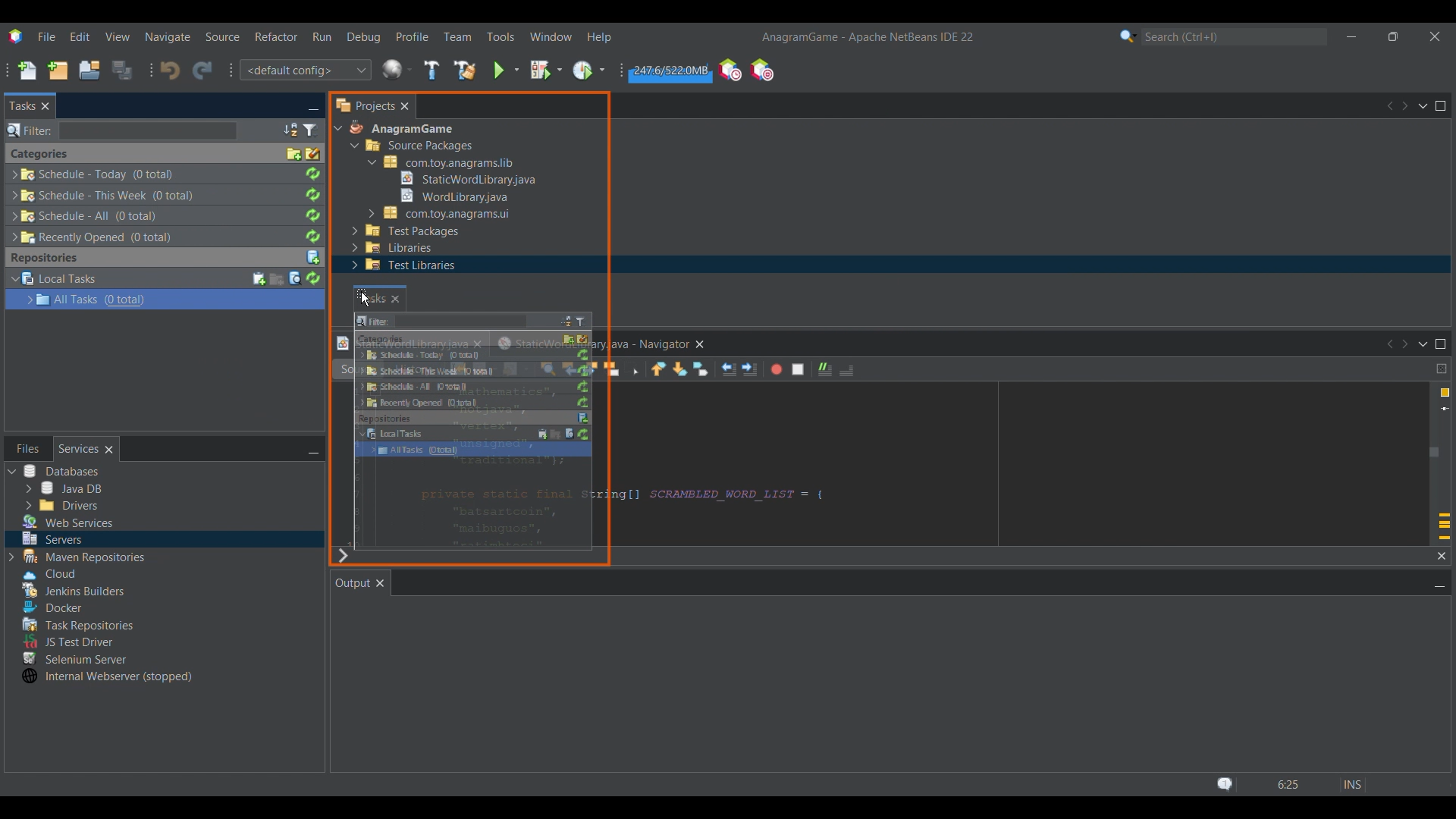  What do you see at coordinates (1128, 36) in the screenshot?
I see `Search category selection` at bounding box center [1128, 36].